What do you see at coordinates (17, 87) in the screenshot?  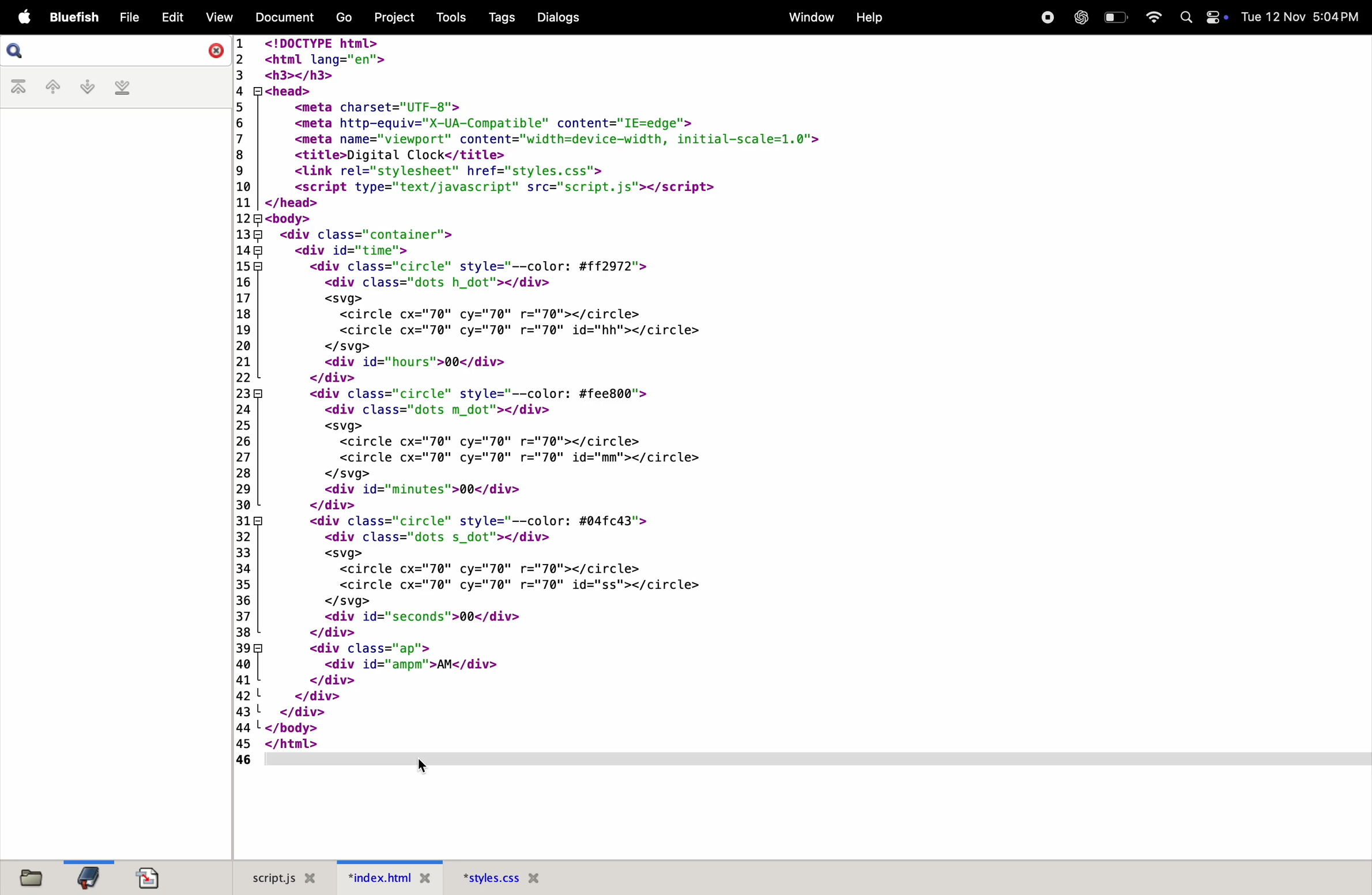 I see `first bookmark` at bounding box center [17, 87].